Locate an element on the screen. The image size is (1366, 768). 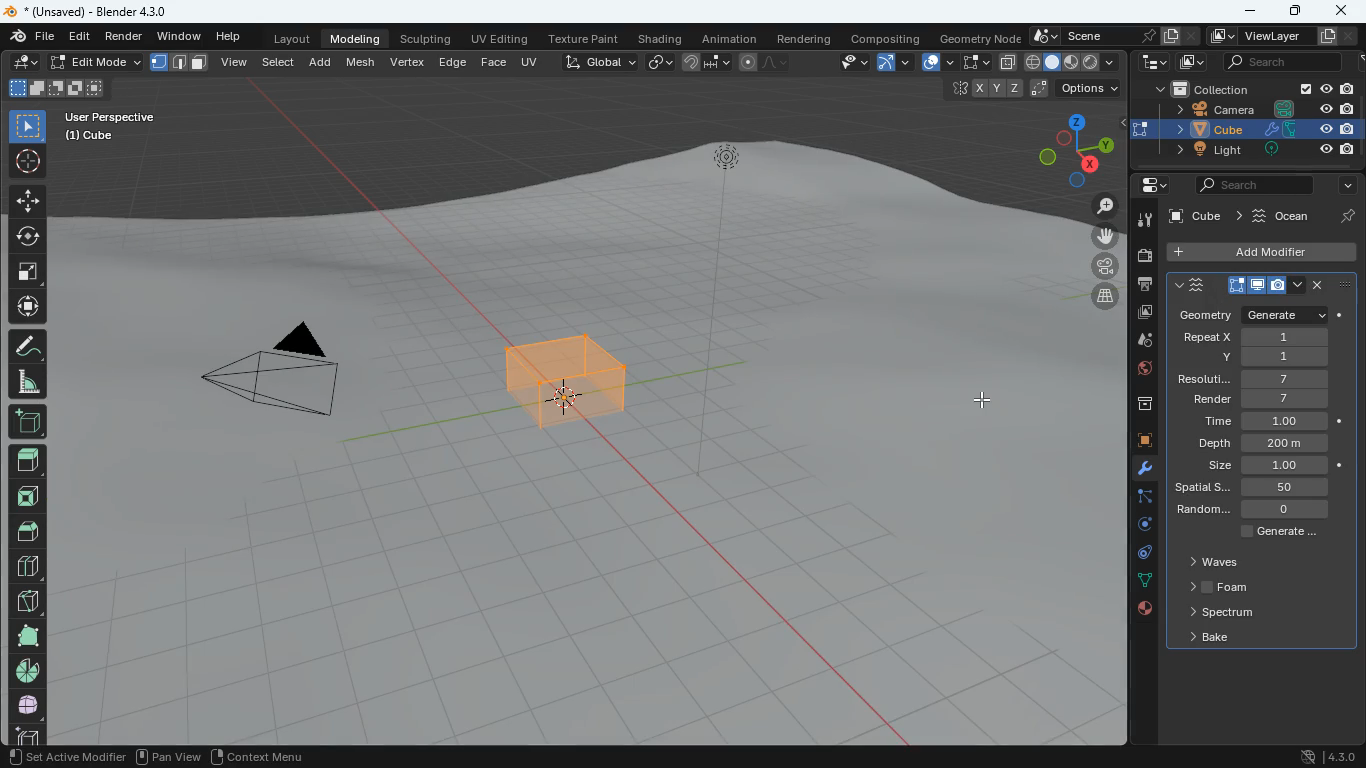
shape is located at coordinates (27, 635).